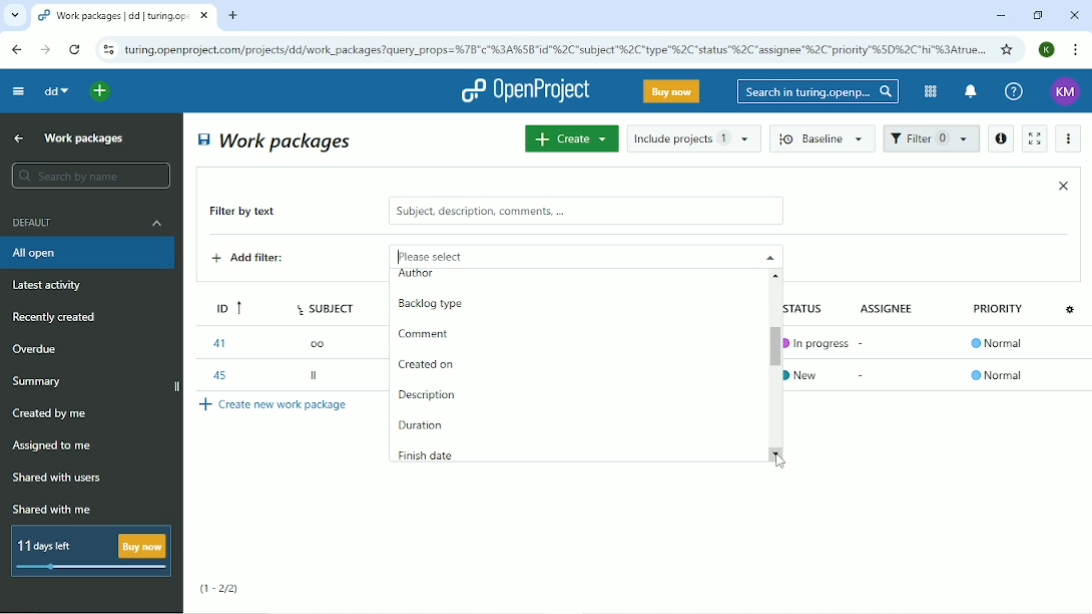 This screenshot has width=1092, height=614. I want to click on Normal, so click(997, 375).